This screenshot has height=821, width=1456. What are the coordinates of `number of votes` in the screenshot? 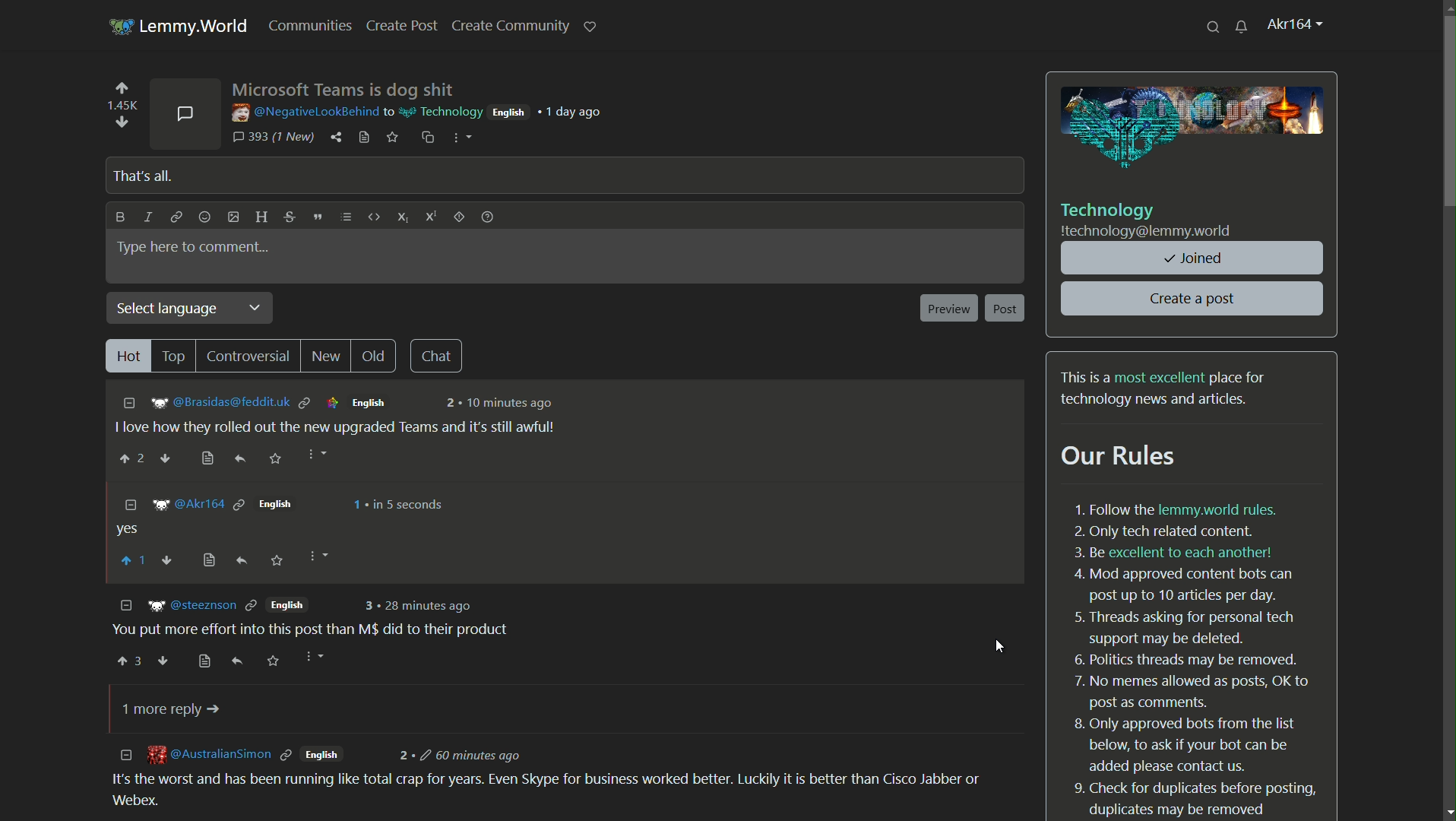 It's located at (121, 106).